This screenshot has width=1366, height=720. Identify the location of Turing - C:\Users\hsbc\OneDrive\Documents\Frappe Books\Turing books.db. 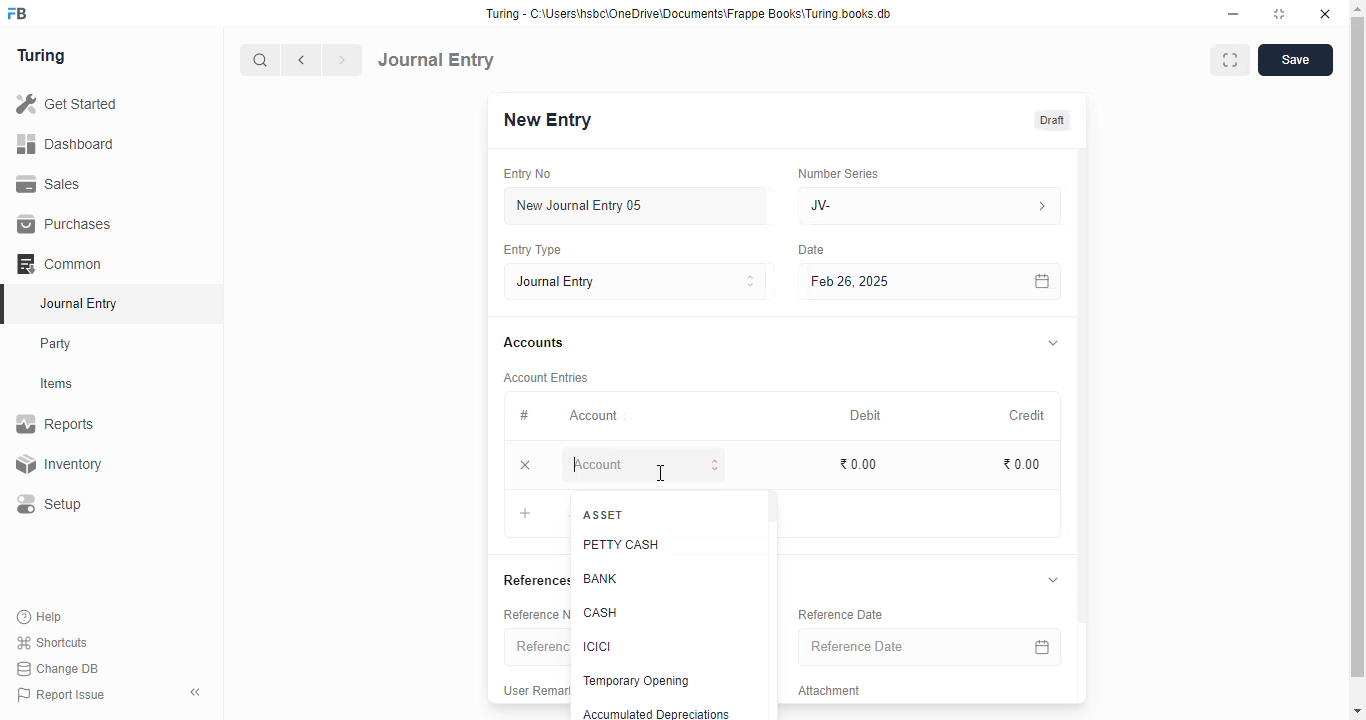
(688, 14).